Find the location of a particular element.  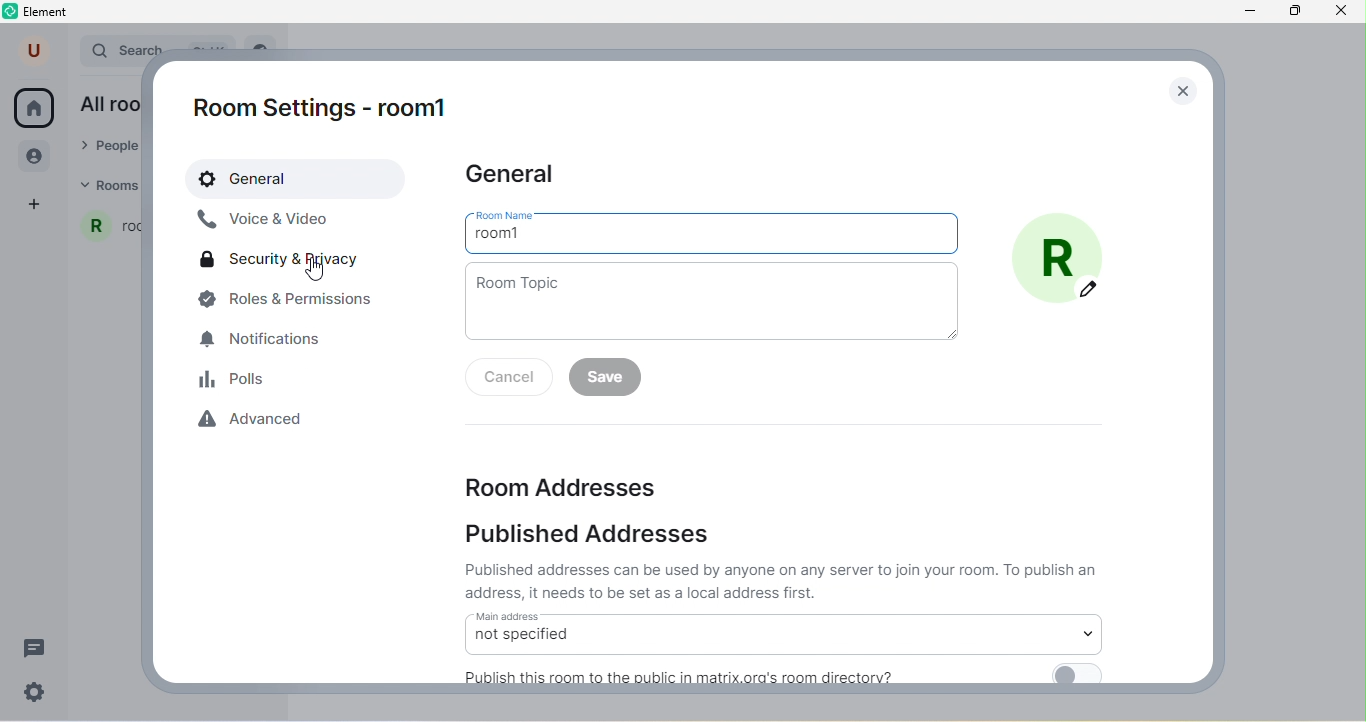

threads is located at coordinates (33, 646).